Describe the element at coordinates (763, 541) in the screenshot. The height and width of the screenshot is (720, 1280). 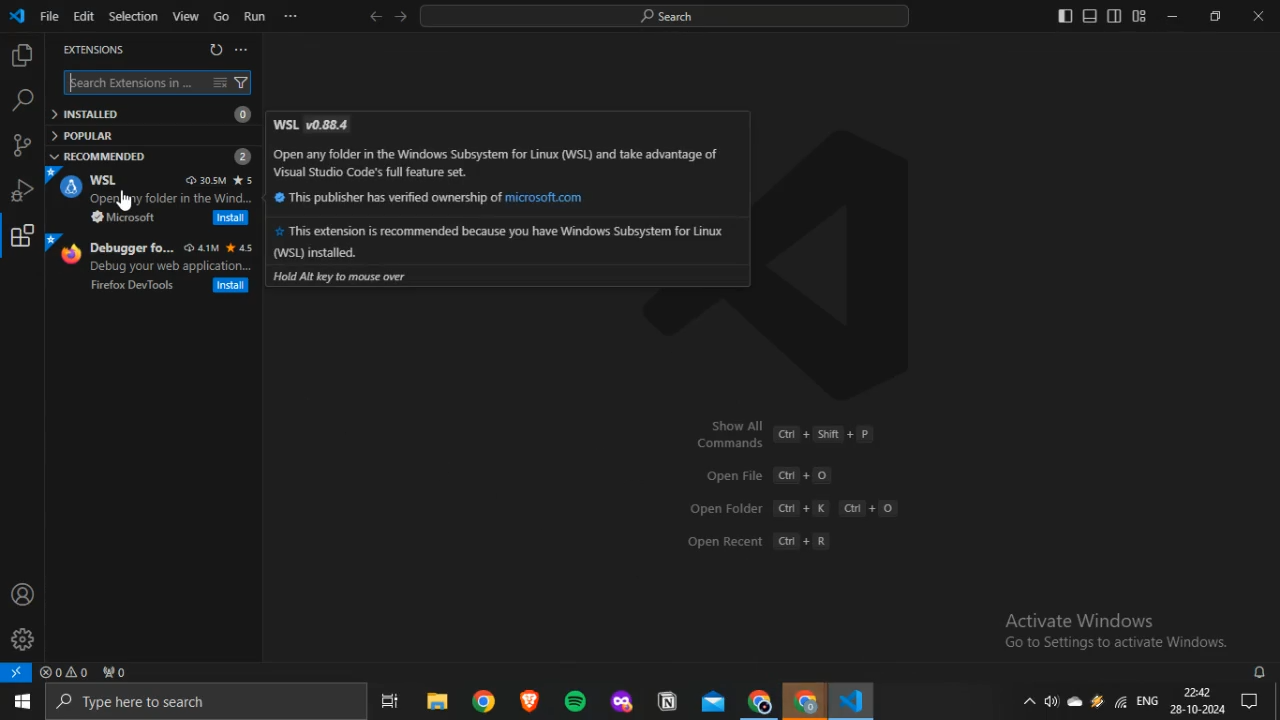
I see `Open Recent Ctrl + R` at that location.